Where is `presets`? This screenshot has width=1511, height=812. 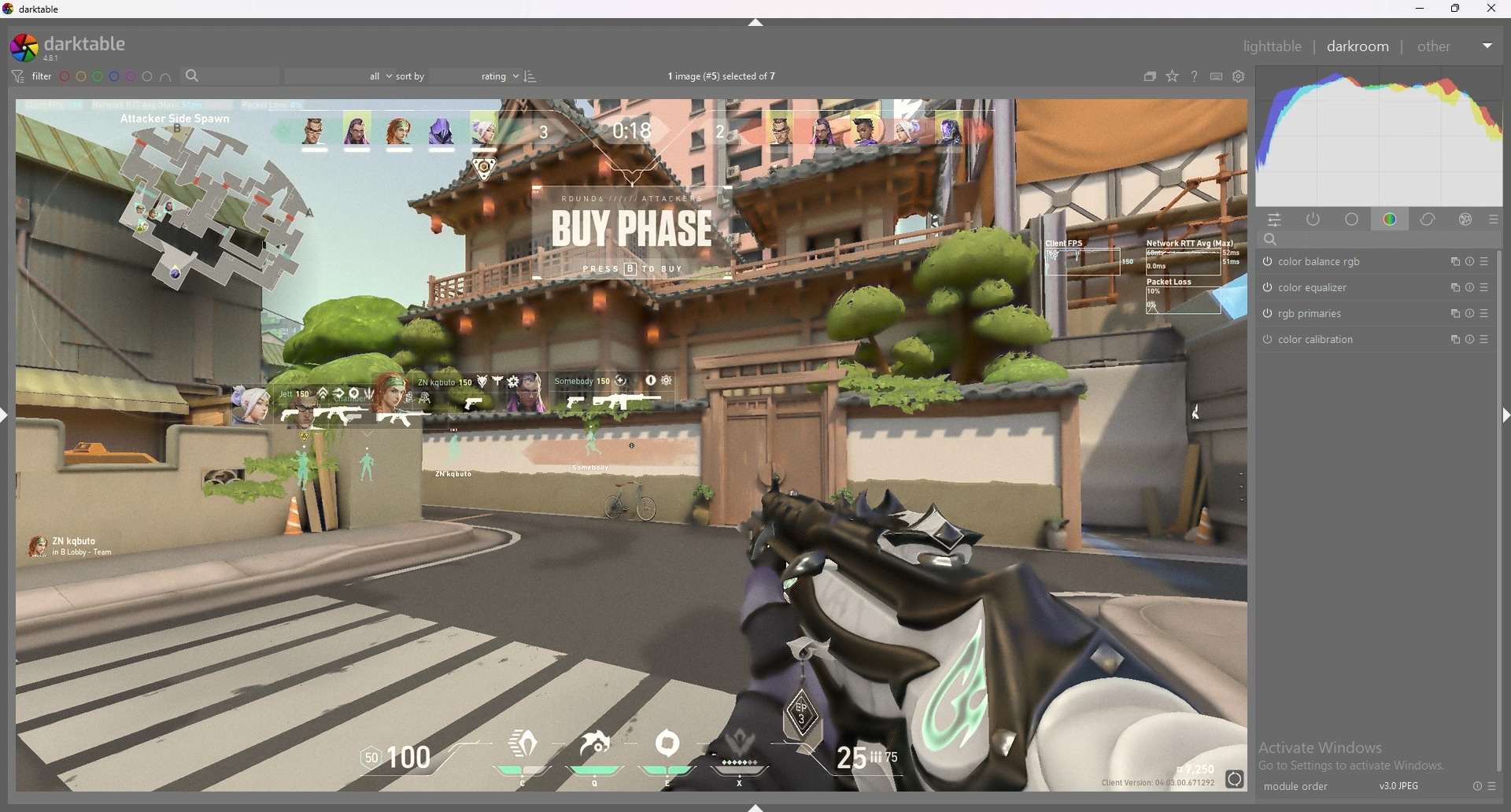
presets is located at coordinates (1484, 286).